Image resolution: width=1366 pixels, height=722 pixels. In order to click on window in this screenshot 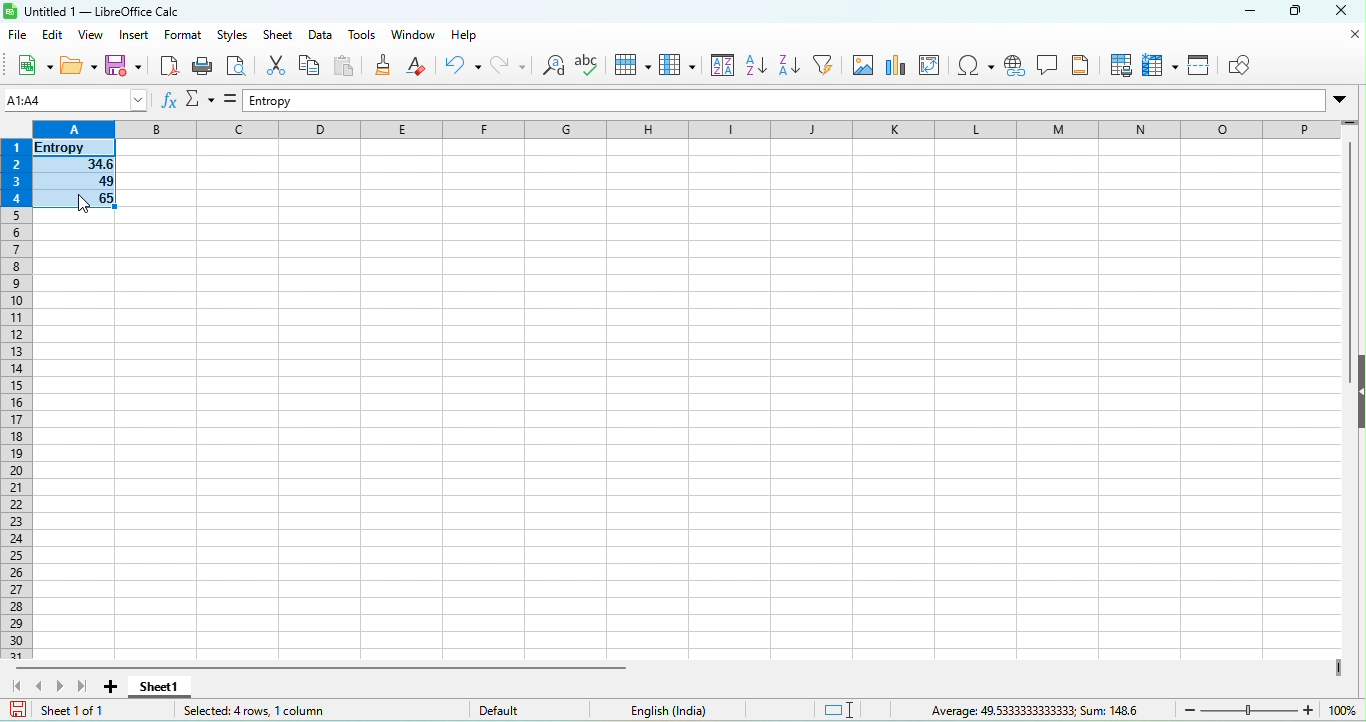, I will do `click(415, 36)`.